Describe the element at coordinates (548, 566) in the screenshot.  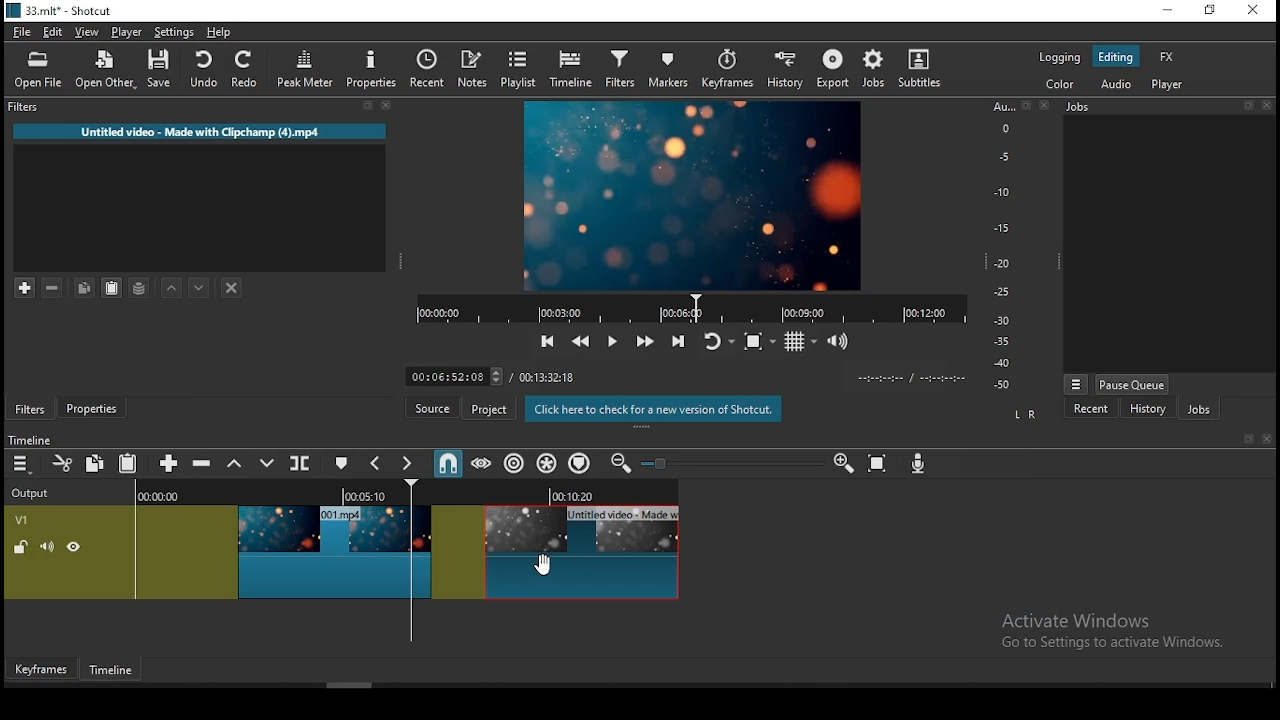
I see `cursor` at that location.